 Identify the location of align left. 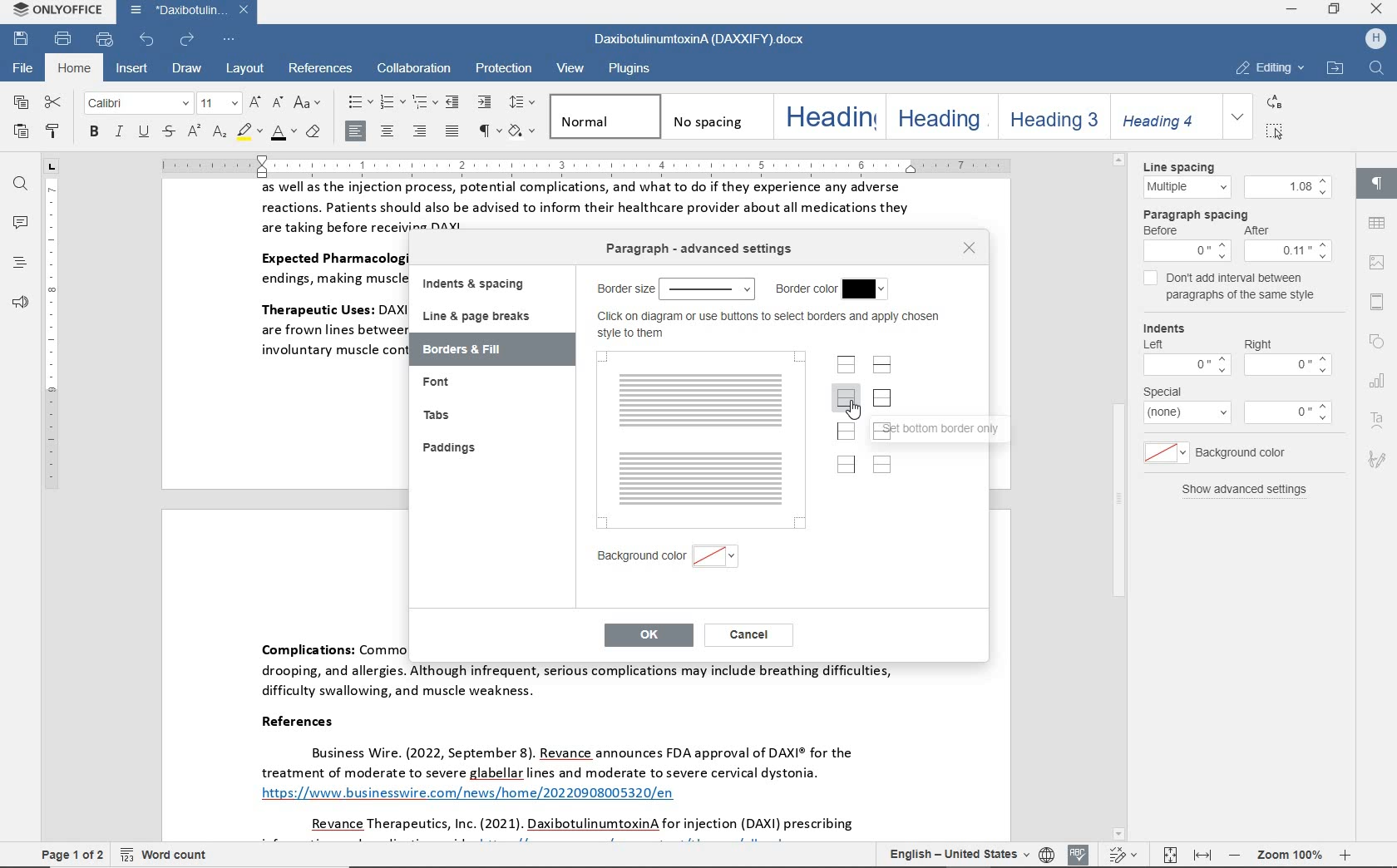
(420, 131).